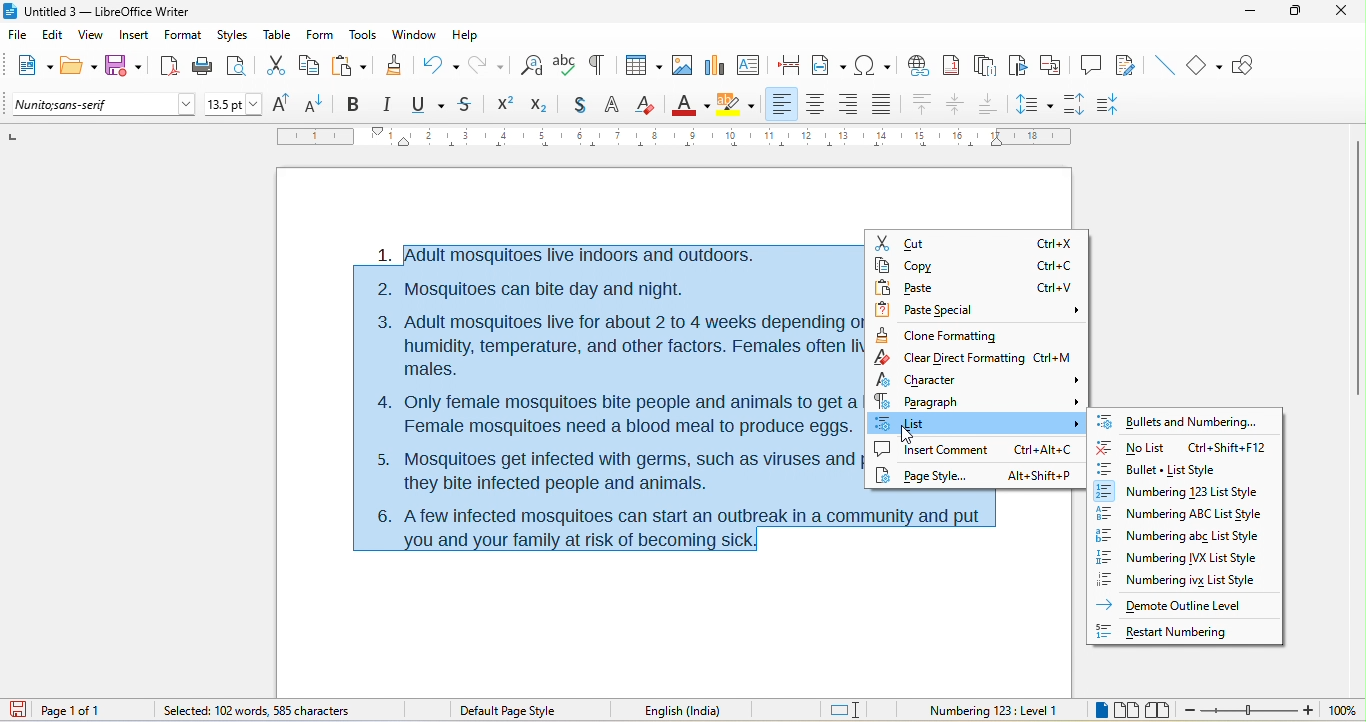  Describe the element at coordinates (468, 33) in the screenshot. I see `help` at that location.